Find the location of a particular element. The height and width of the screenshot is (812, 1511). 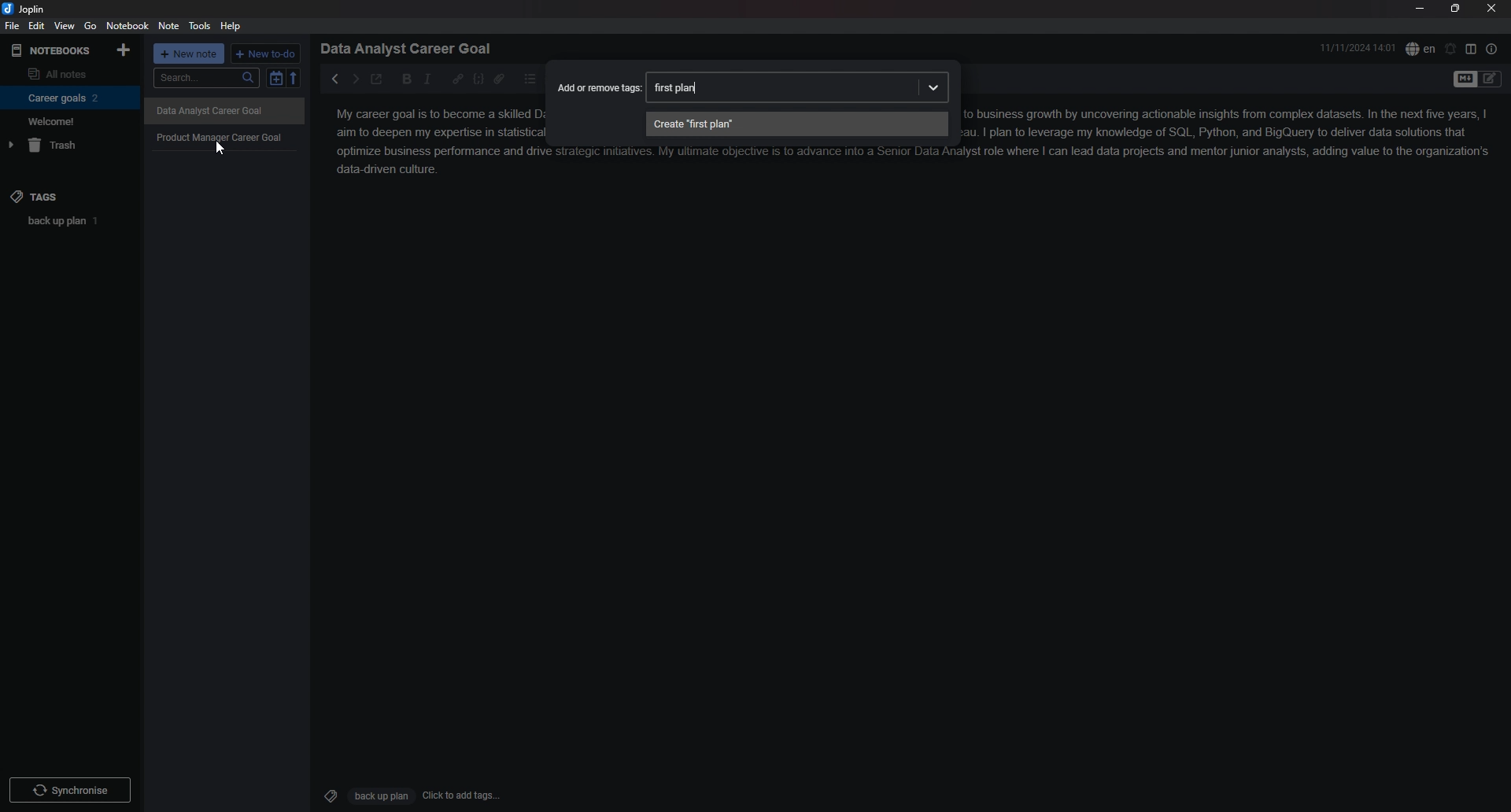

notebooks is located at coordinates (53, 51).